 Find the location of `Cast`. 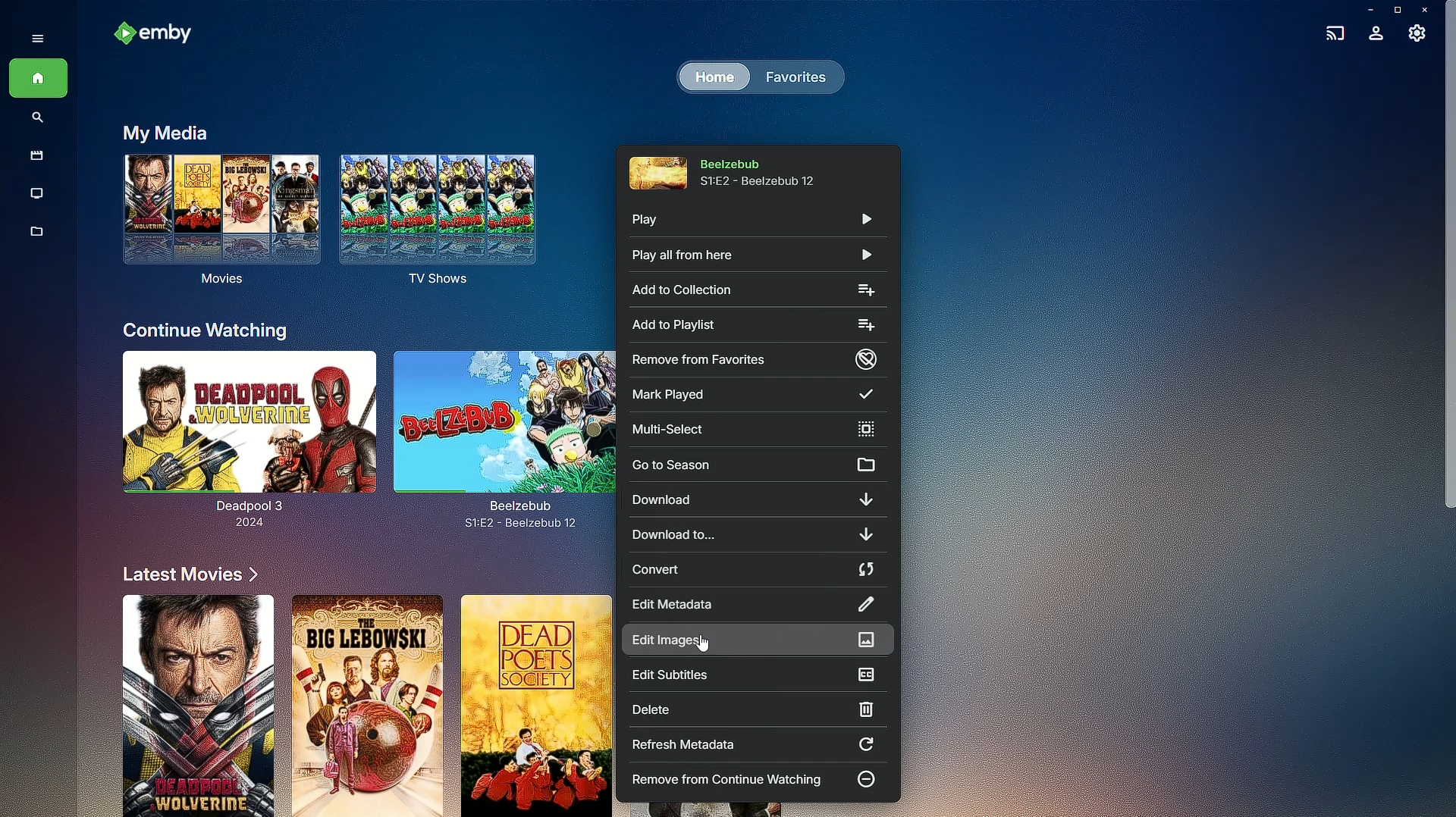

Cast is located at coordinates (1332, 31).